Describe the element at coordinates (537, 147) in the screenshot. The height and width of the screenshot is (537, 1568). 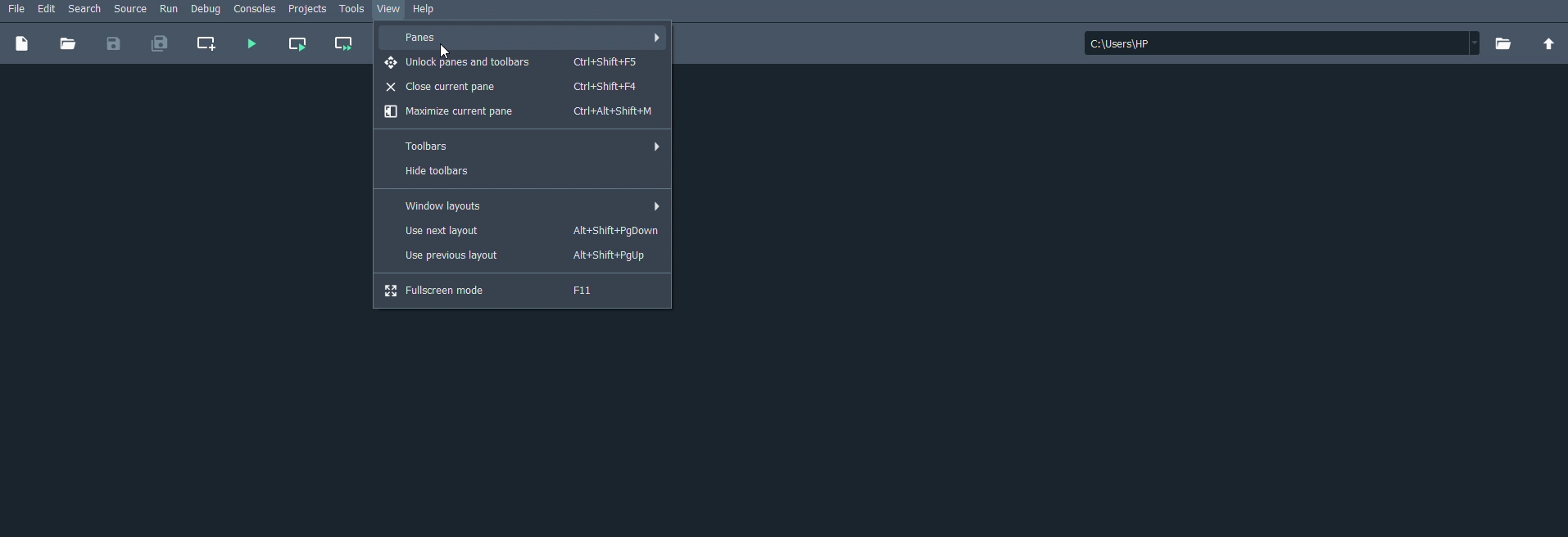
I see `Toolbars` at that location.